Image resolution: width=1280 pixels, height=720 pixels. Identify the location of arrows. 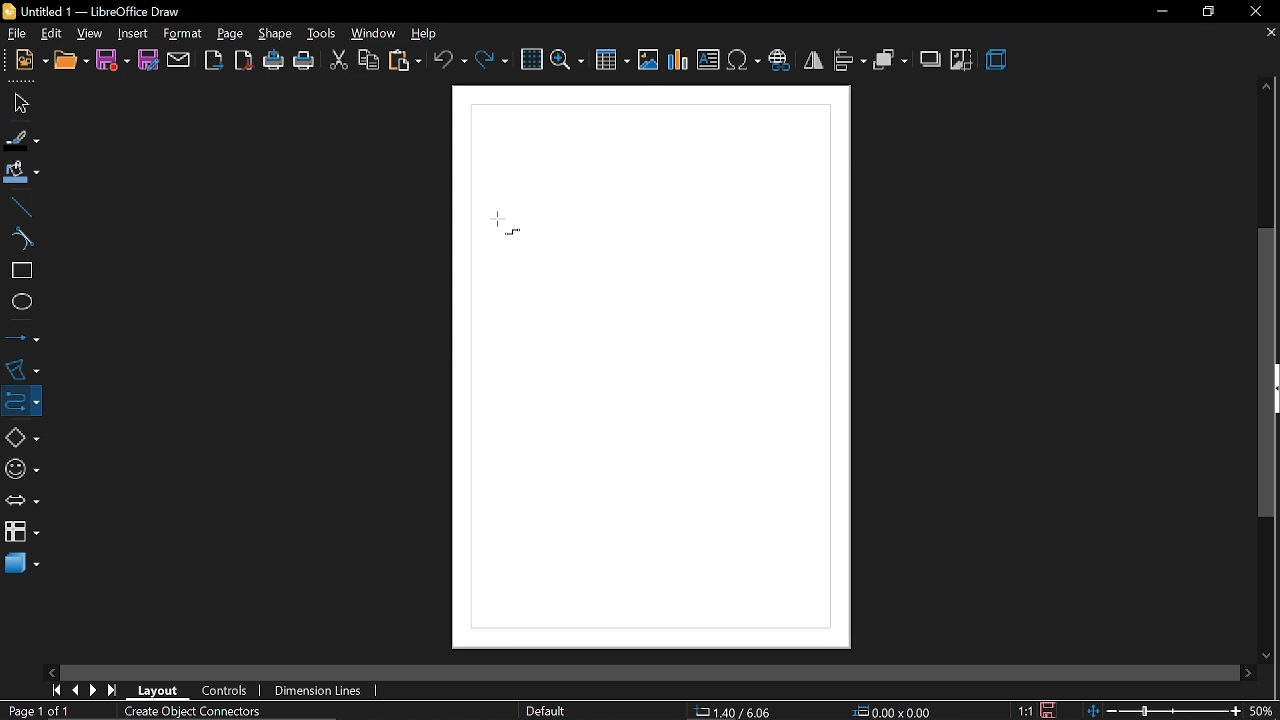
(19, 499).